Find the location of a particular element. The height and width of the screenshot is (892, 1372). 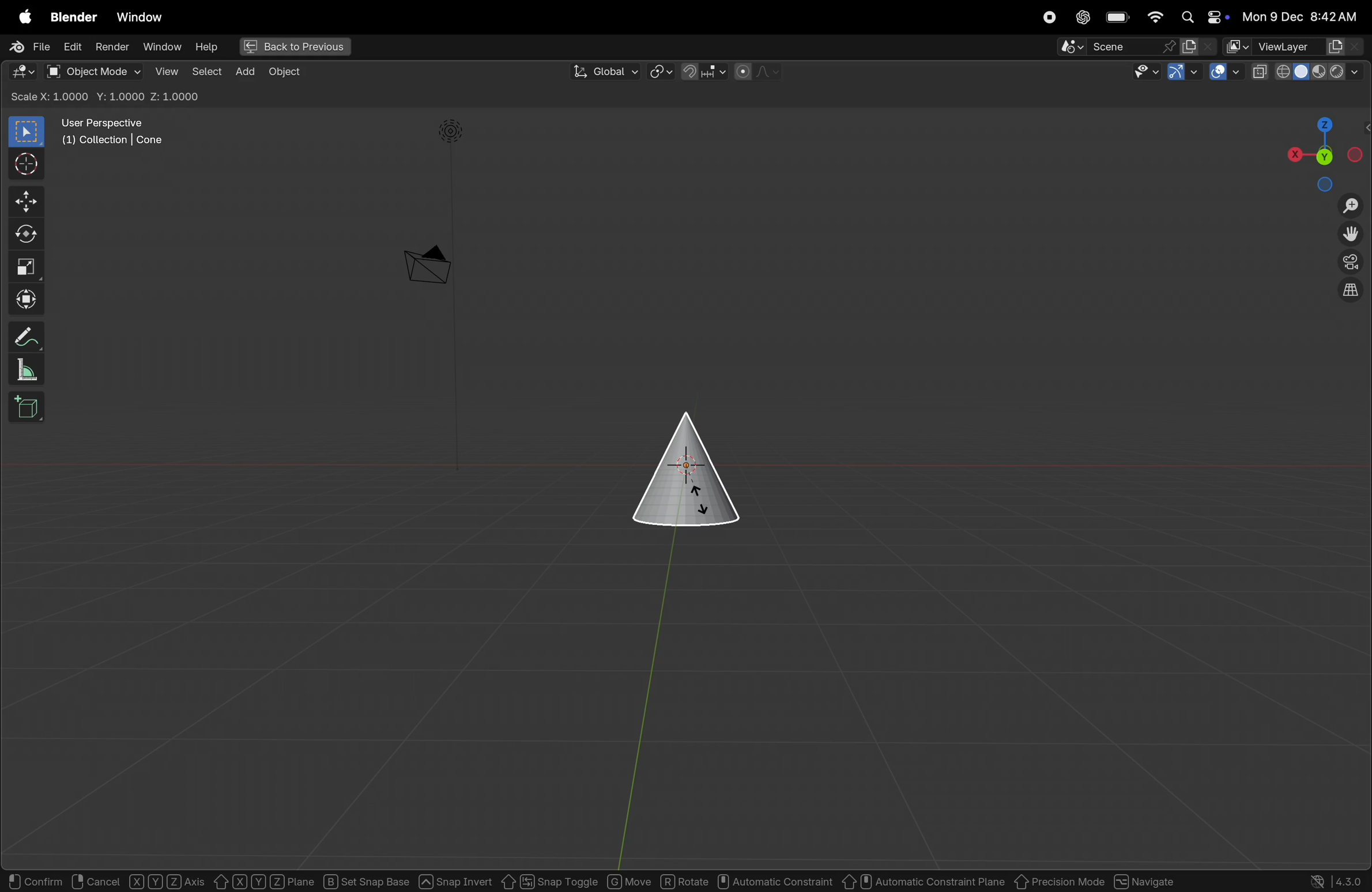

object is located at coordinates (168, 881).